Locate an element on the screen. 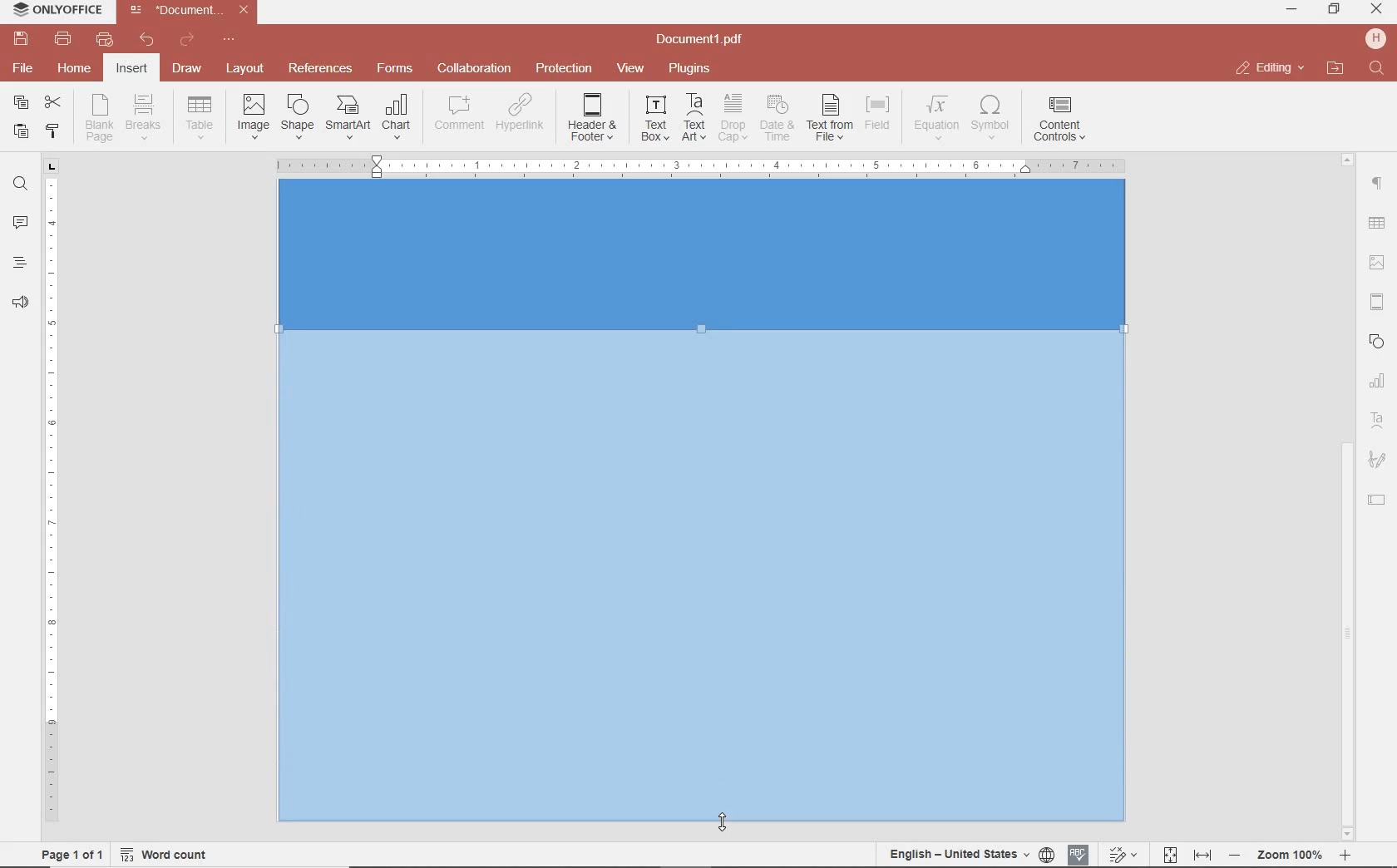 The width and height of the screenshot is (1397, 868). TEXT ART is located at coordinates (1378, 422).